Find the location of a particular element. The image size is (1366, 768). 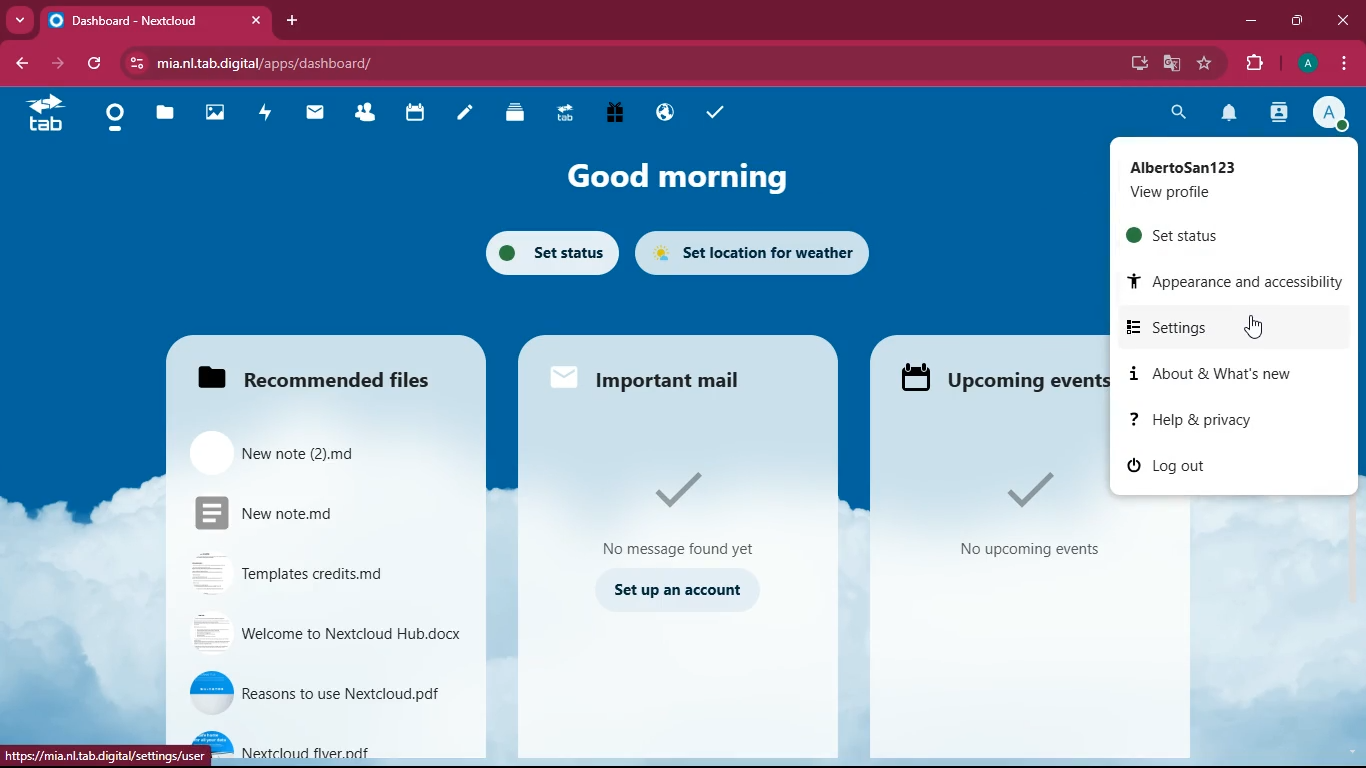

log out is located at coordinates (1223, 468).